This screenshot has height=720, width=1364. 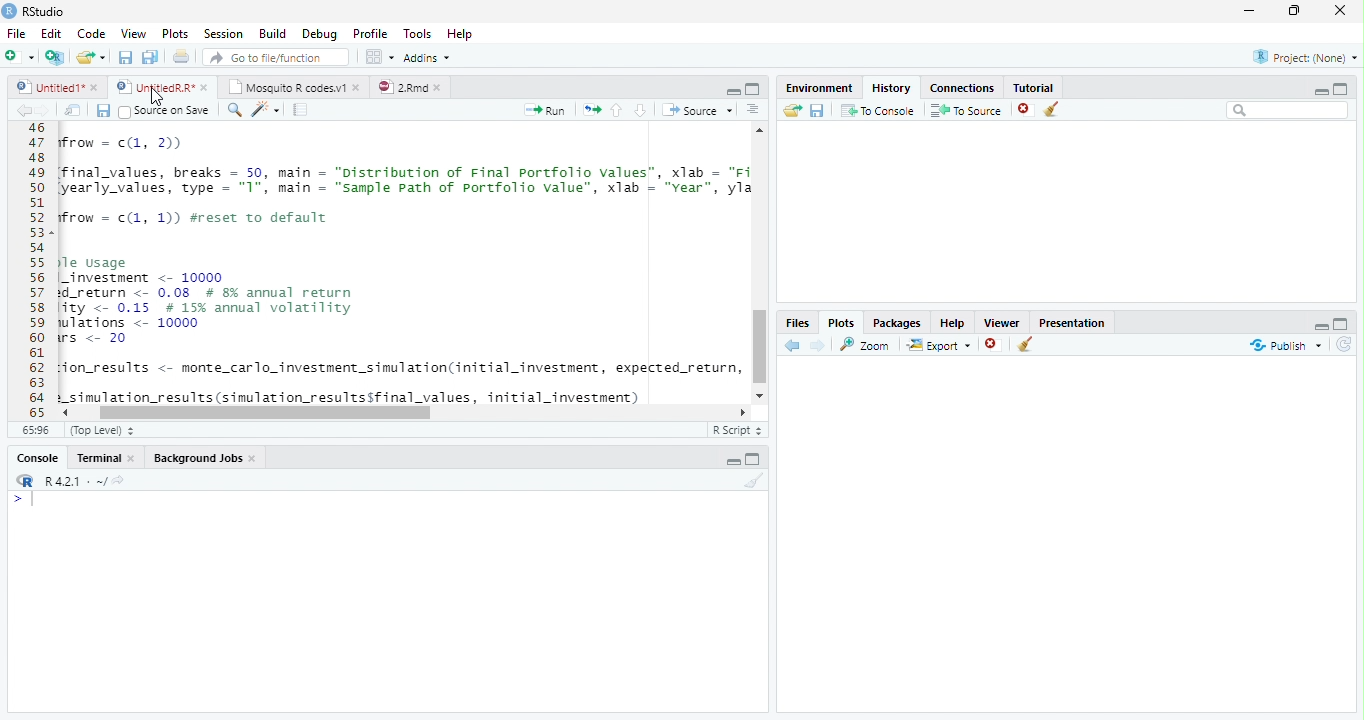 I want to click on Addins, so click(x=428, y=57).